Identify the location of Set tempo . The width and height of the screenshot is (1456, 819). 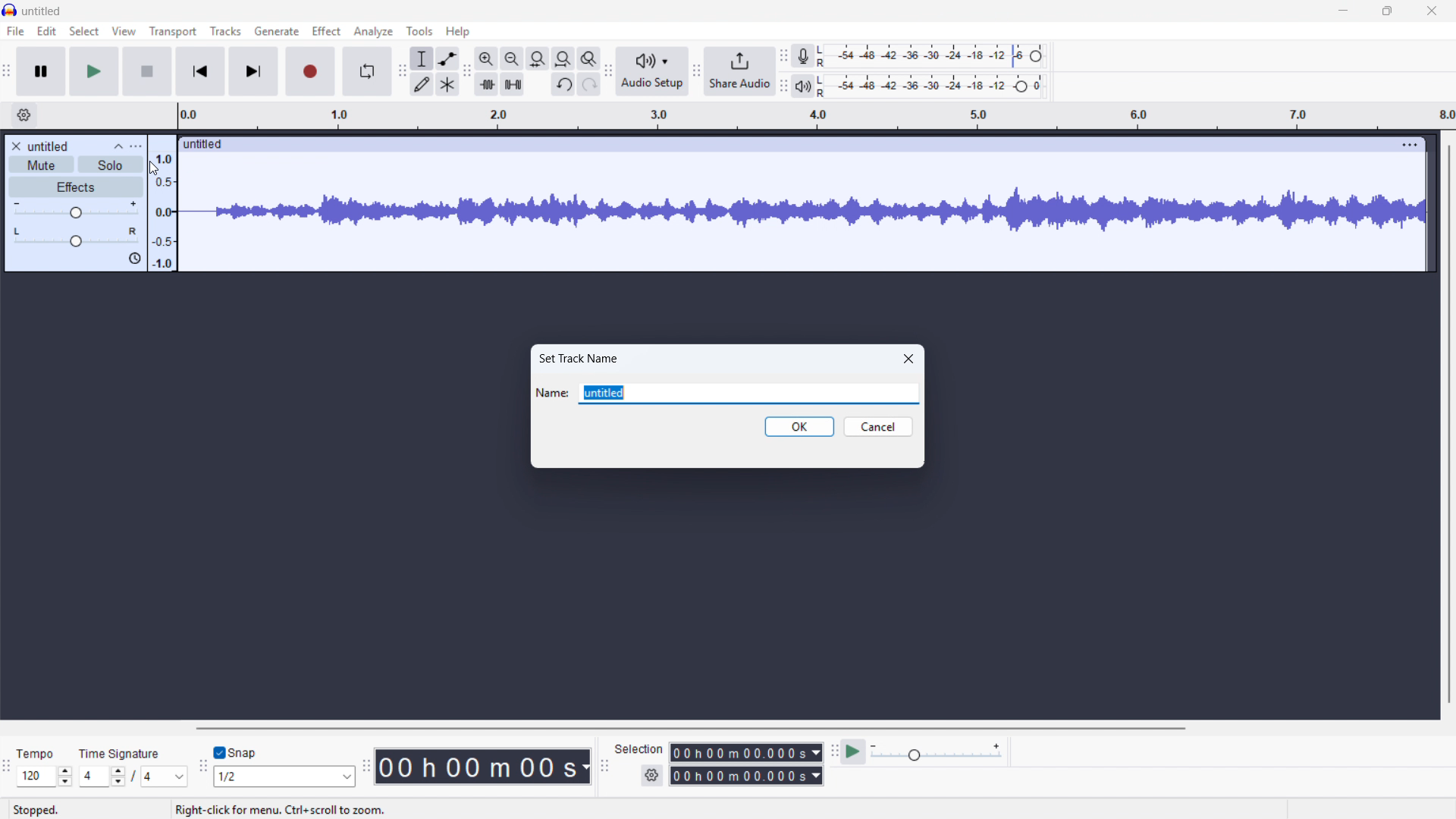
(44, 777).